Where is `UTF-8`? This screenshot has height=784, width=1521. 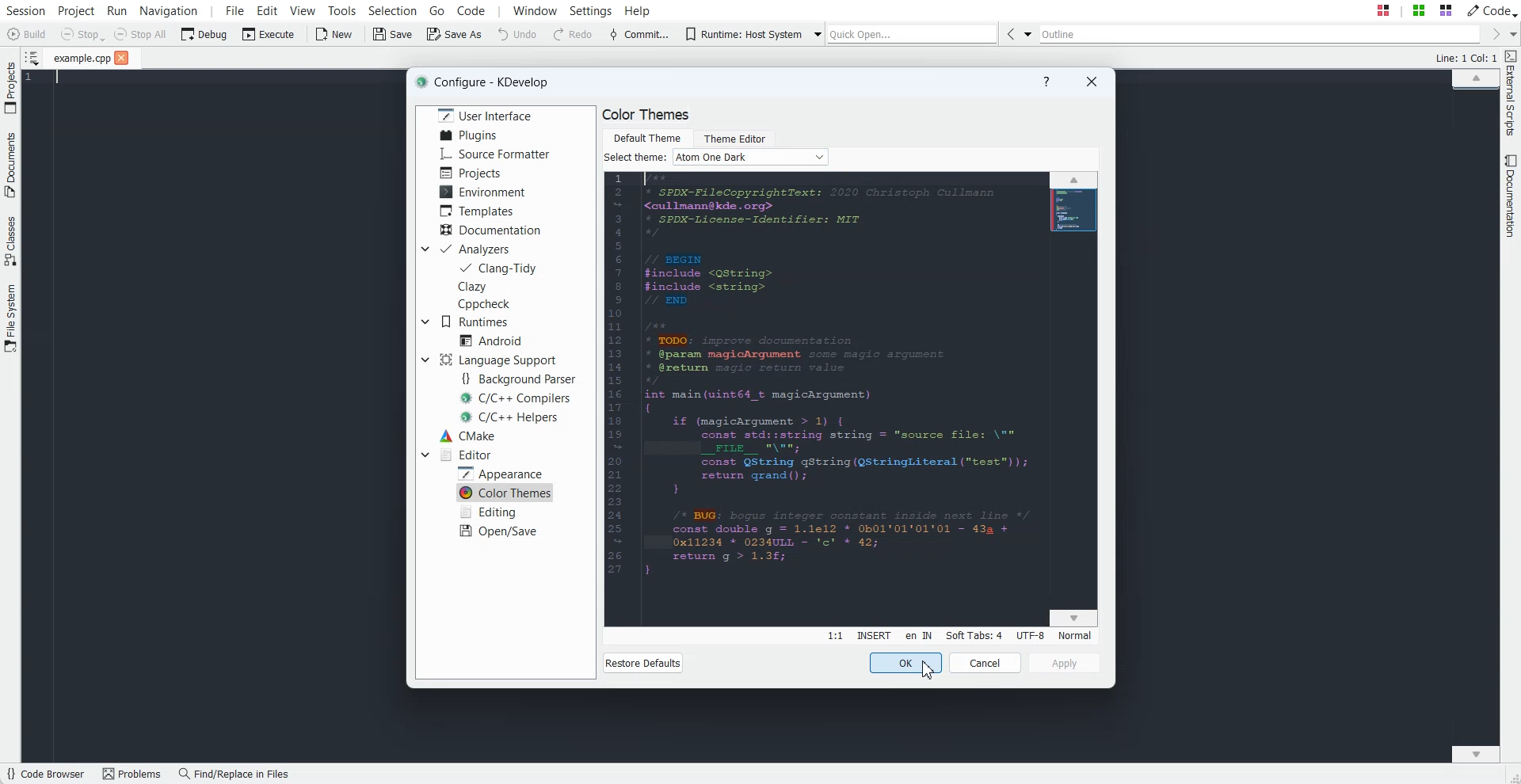 UTF-8 is located at coordinates (1030, 635).